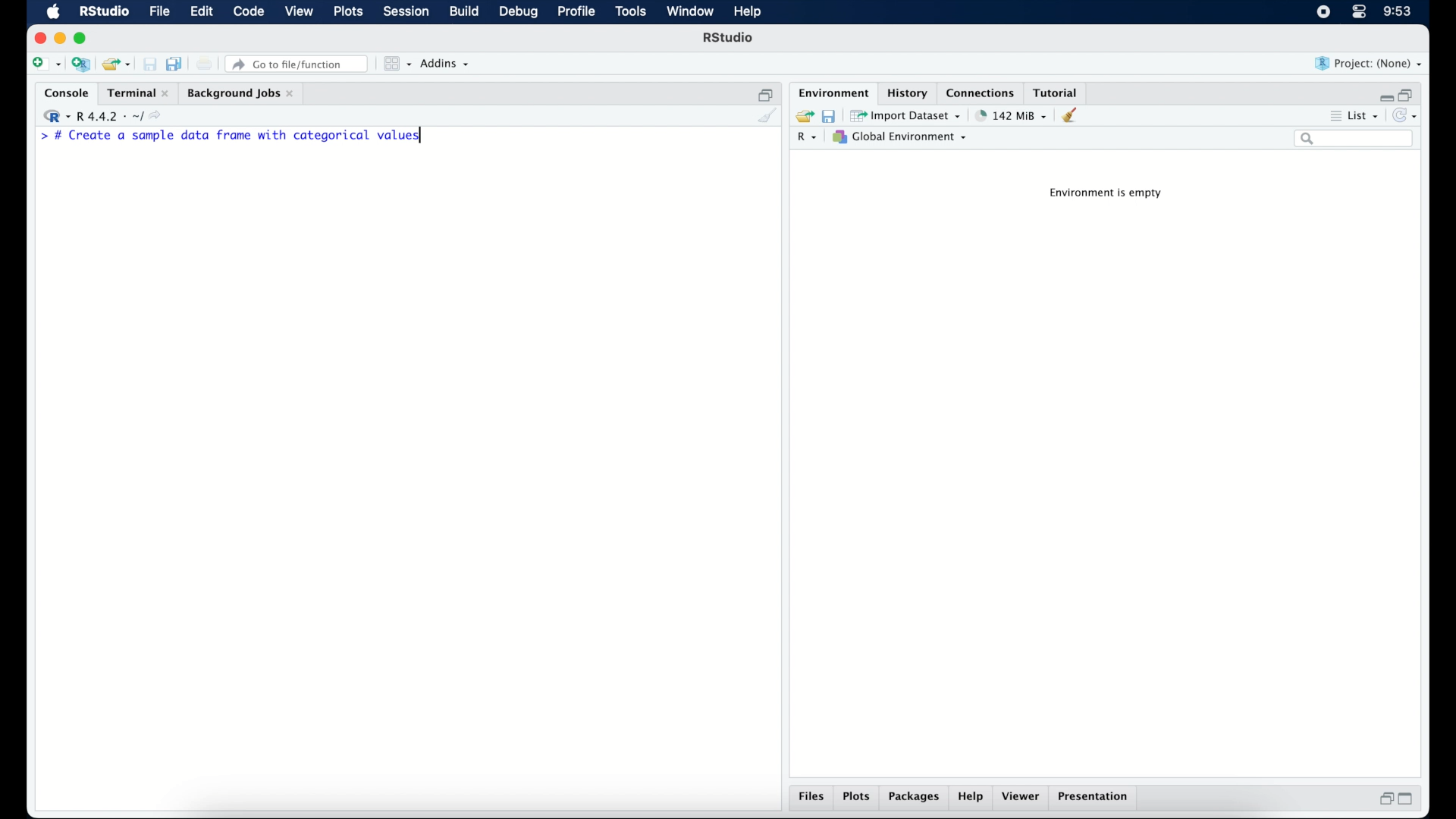 The height and width of the screenshot is (819, 1456). Describe the element at coordinates (104, 12) in the screenshot. I see `R studio` at that location.